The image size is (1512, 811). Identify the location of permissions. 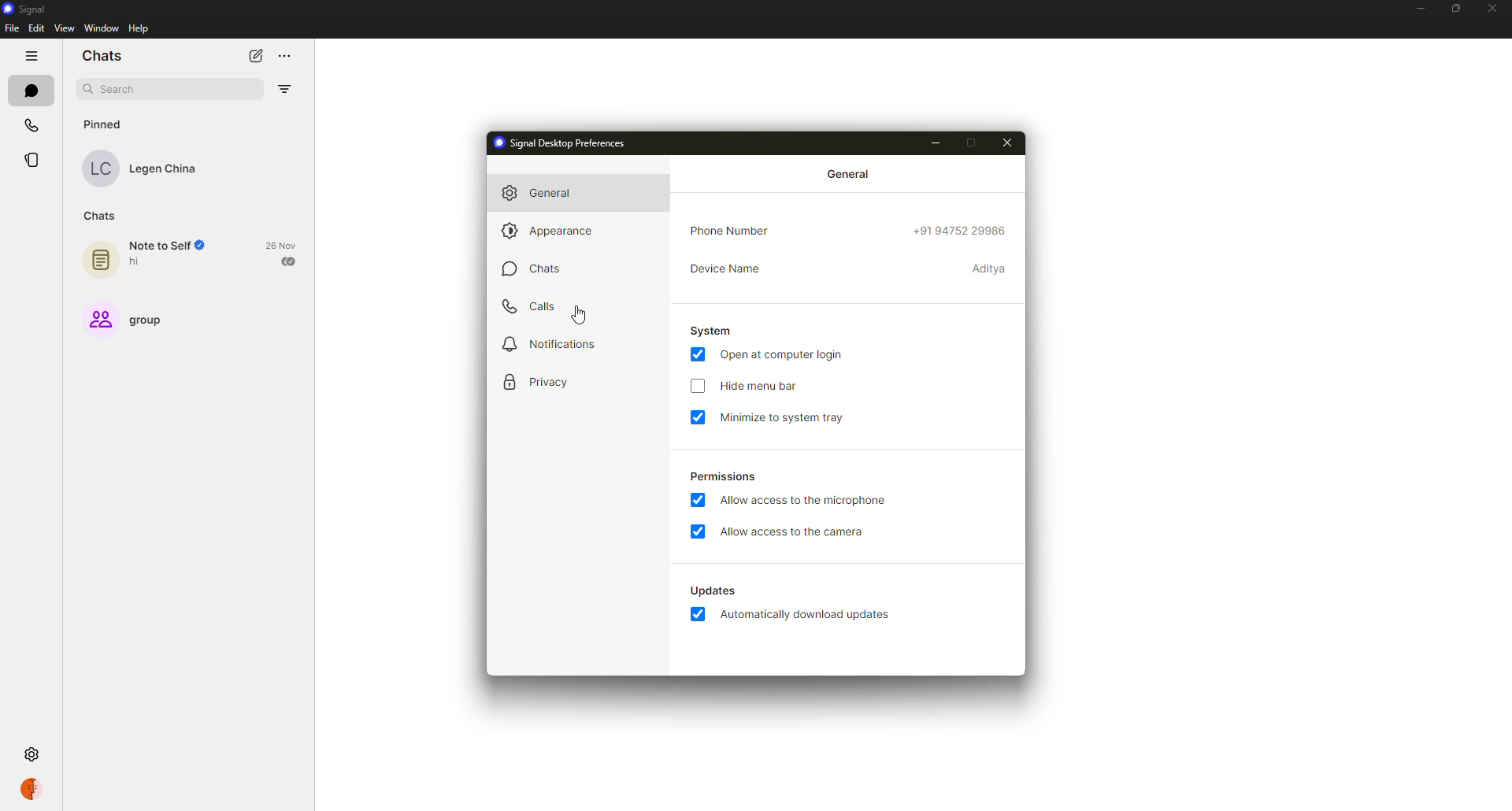
(721, 475).